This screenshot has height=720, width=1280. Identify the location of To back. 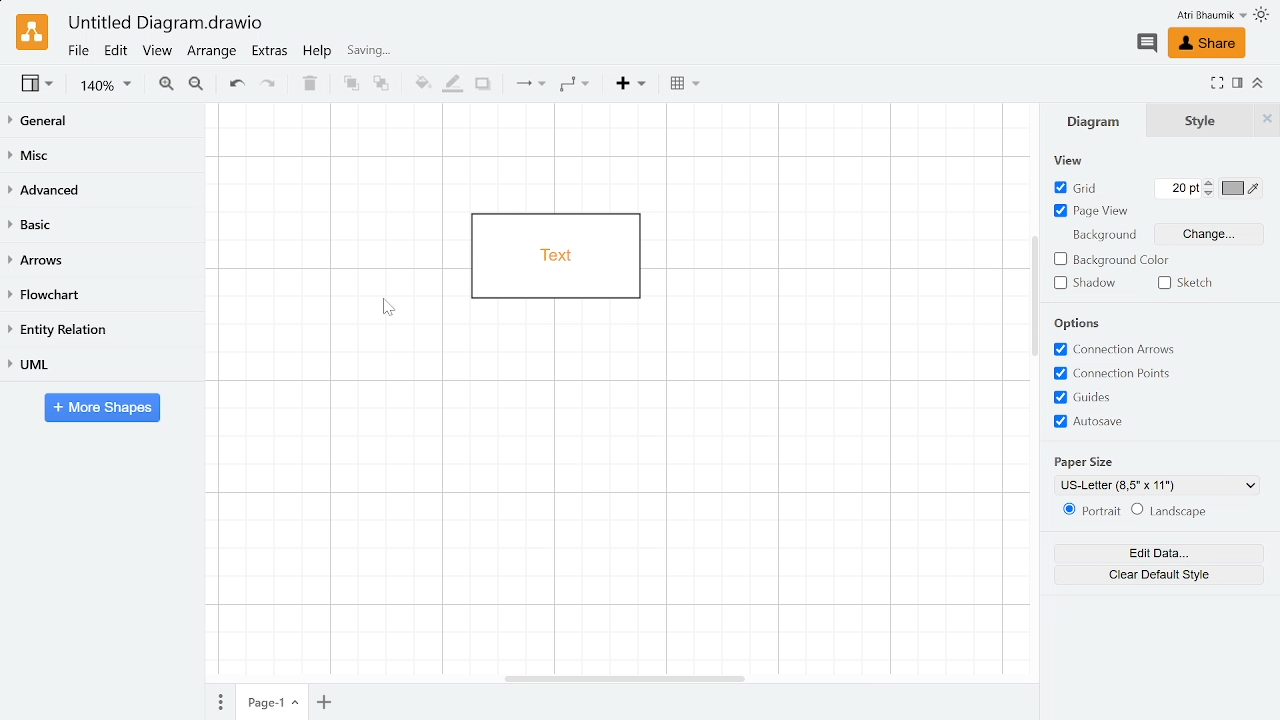
(383, 85).